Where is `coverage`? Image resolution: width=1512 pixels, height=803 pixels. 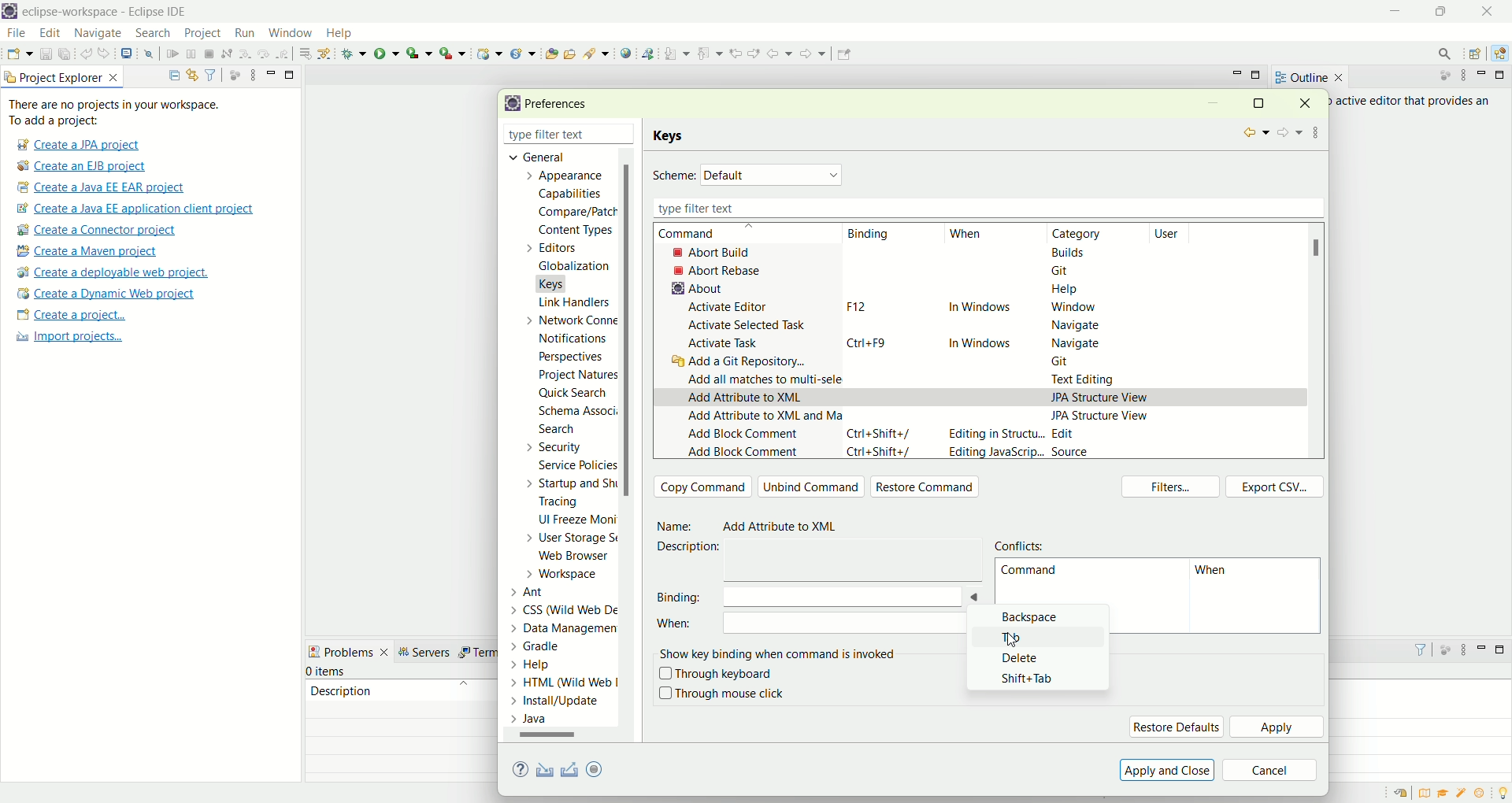 coverage is located at coordinates (419, 53).